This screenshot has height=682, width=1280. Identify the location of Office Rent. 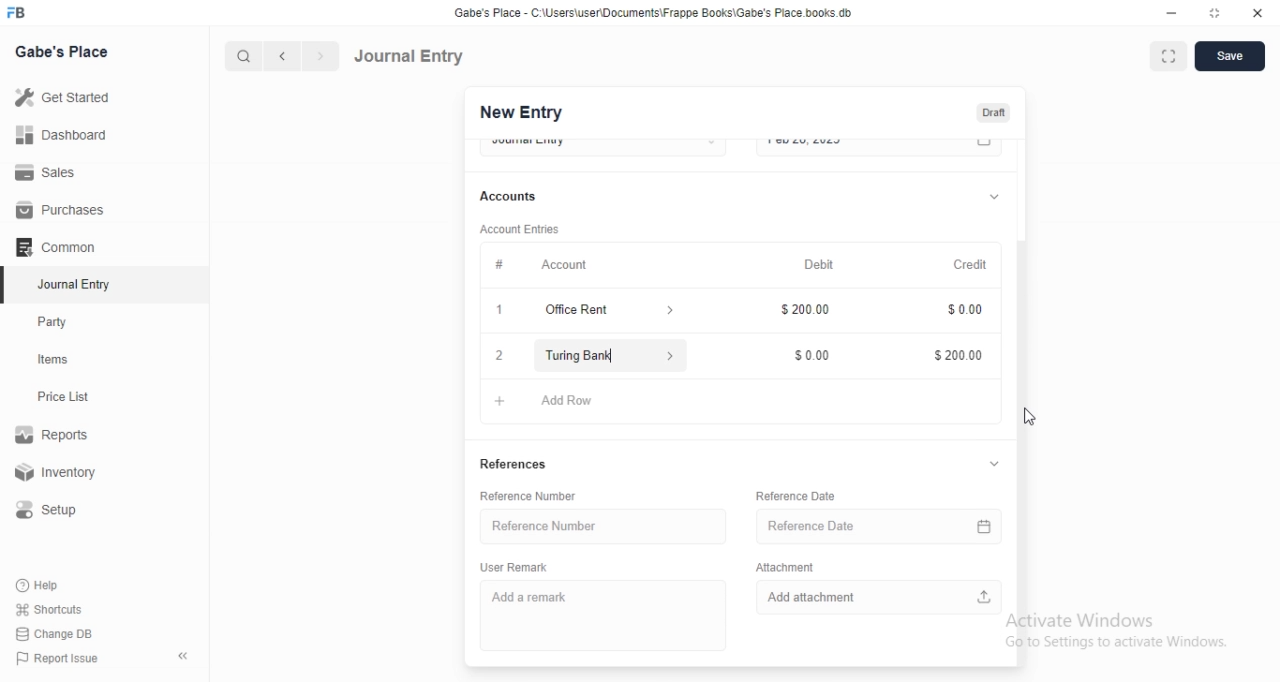
(580, 310).